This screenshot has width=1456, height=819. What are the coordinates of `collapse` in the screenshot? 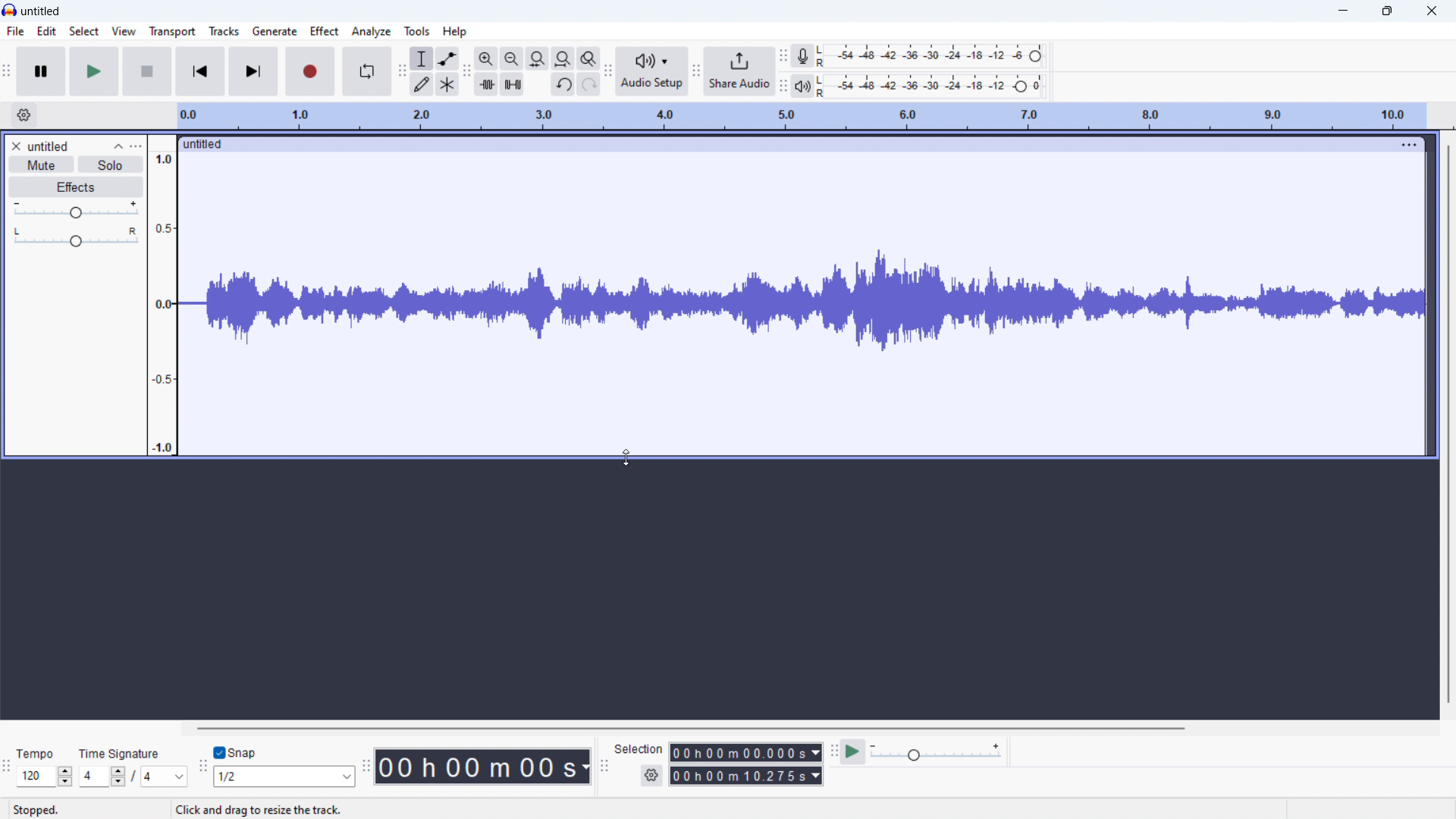 It's located at (122, 145).